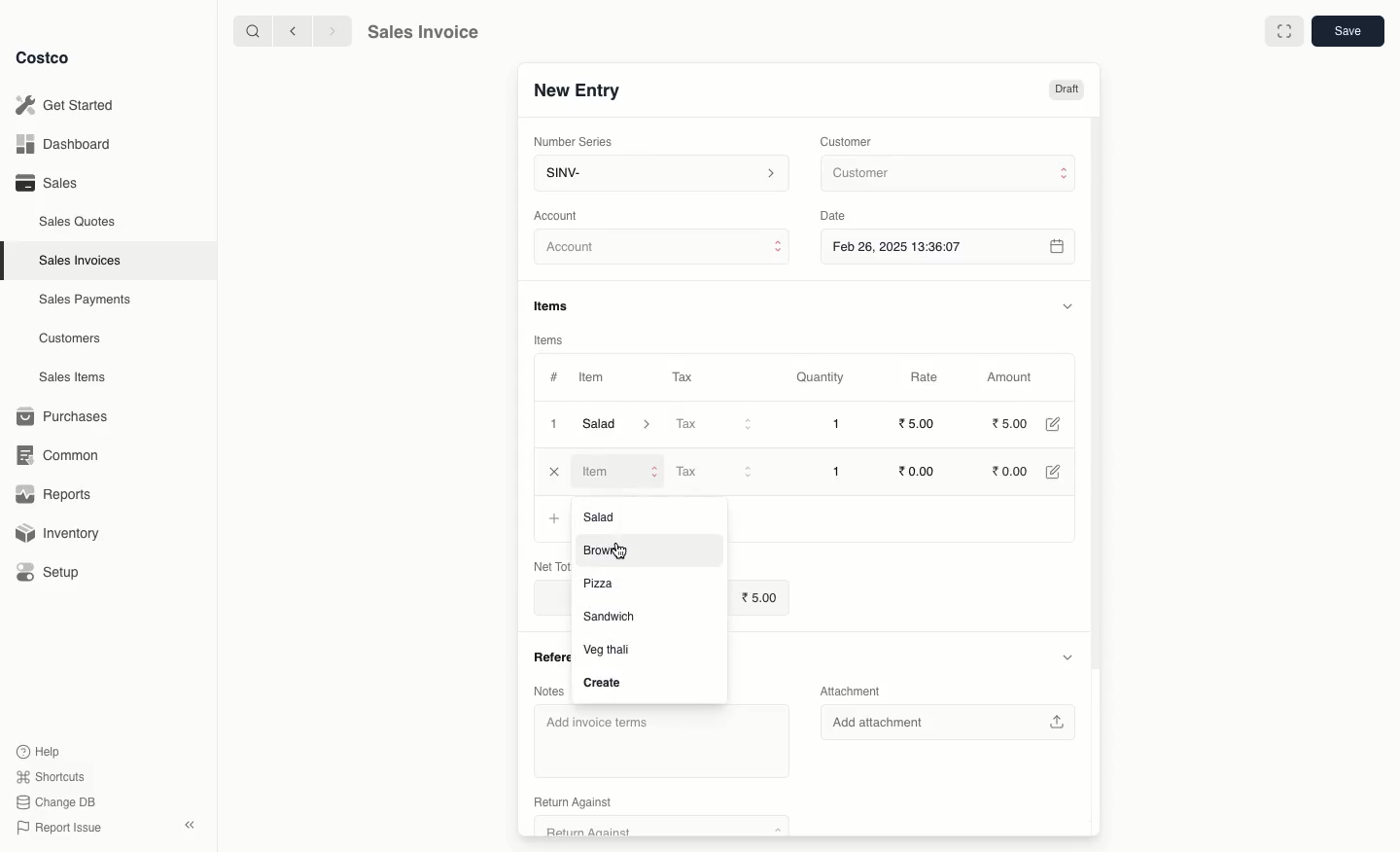 Image resolution: width=1400 pixels, height=852 pixels. Describe the element at coordinates (544, 566) in the screenshot. I see `Net Total` at that location.